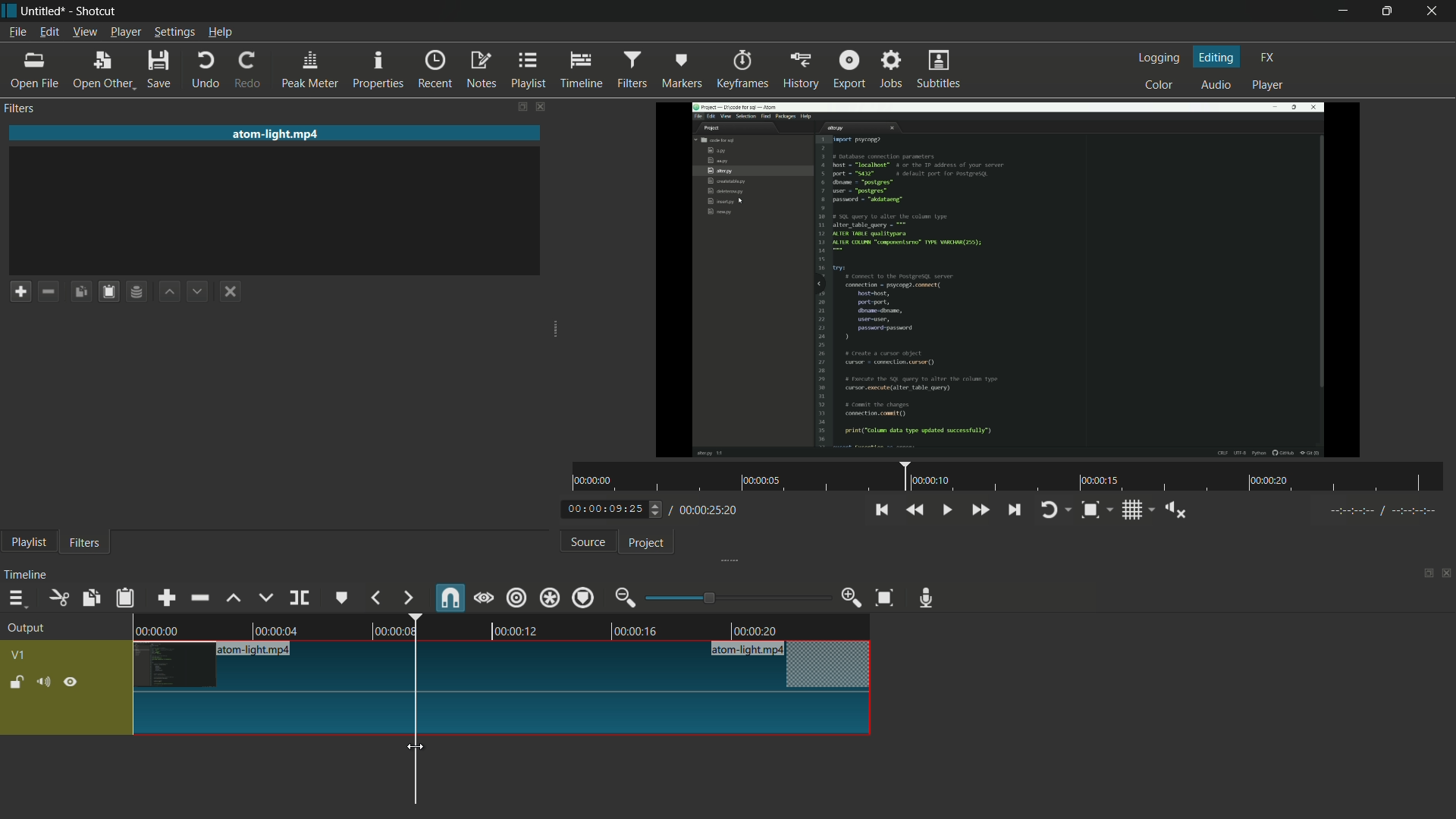 This screenshot has width=1456, height=819. Describe the element at coordinates (504, 666) in the screenshot. I see `video track v1` at that location.